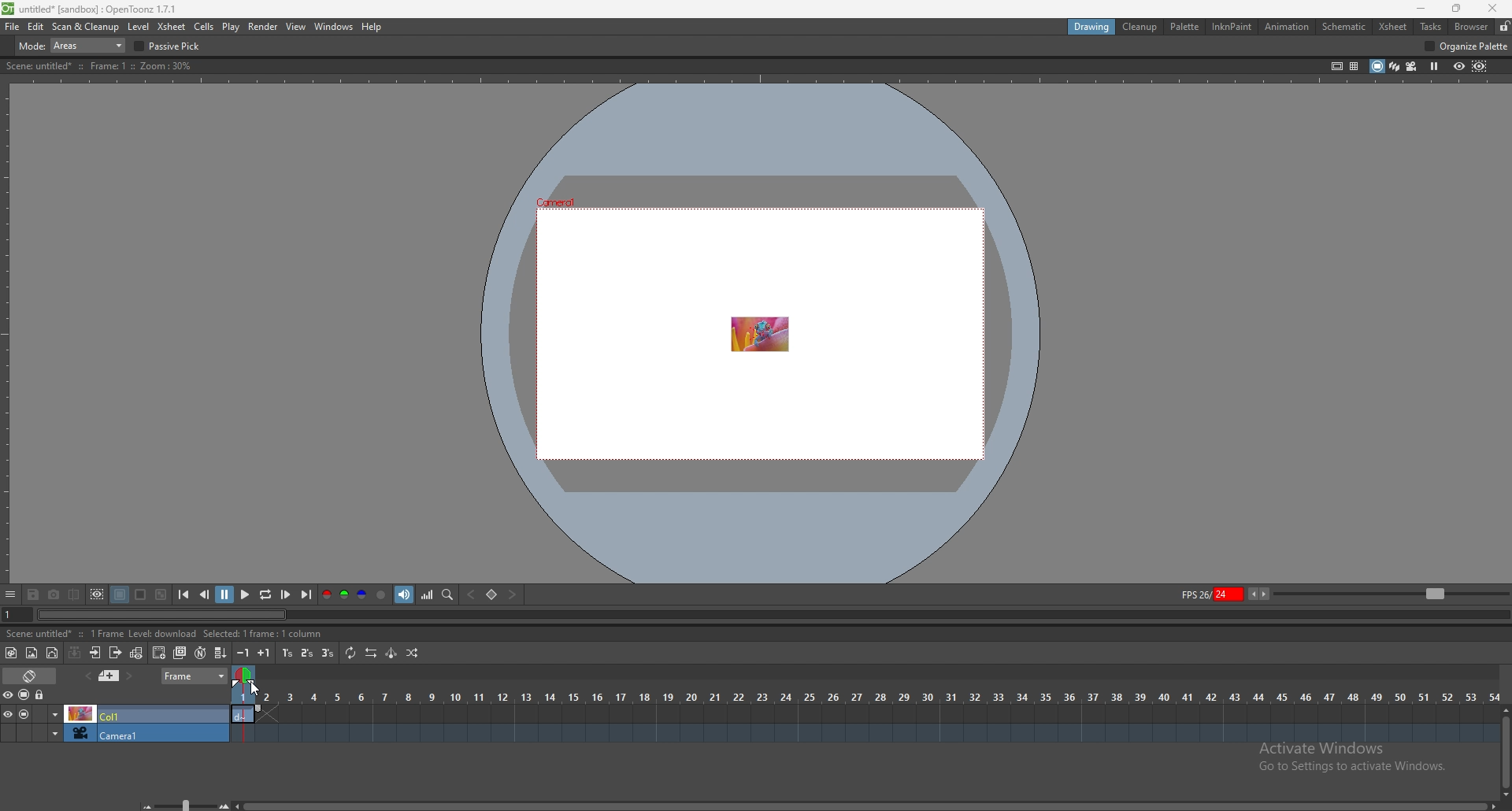  Describe the element at coordinates (30, 676) in the screenshot. I see `toggle timeline` at that location.